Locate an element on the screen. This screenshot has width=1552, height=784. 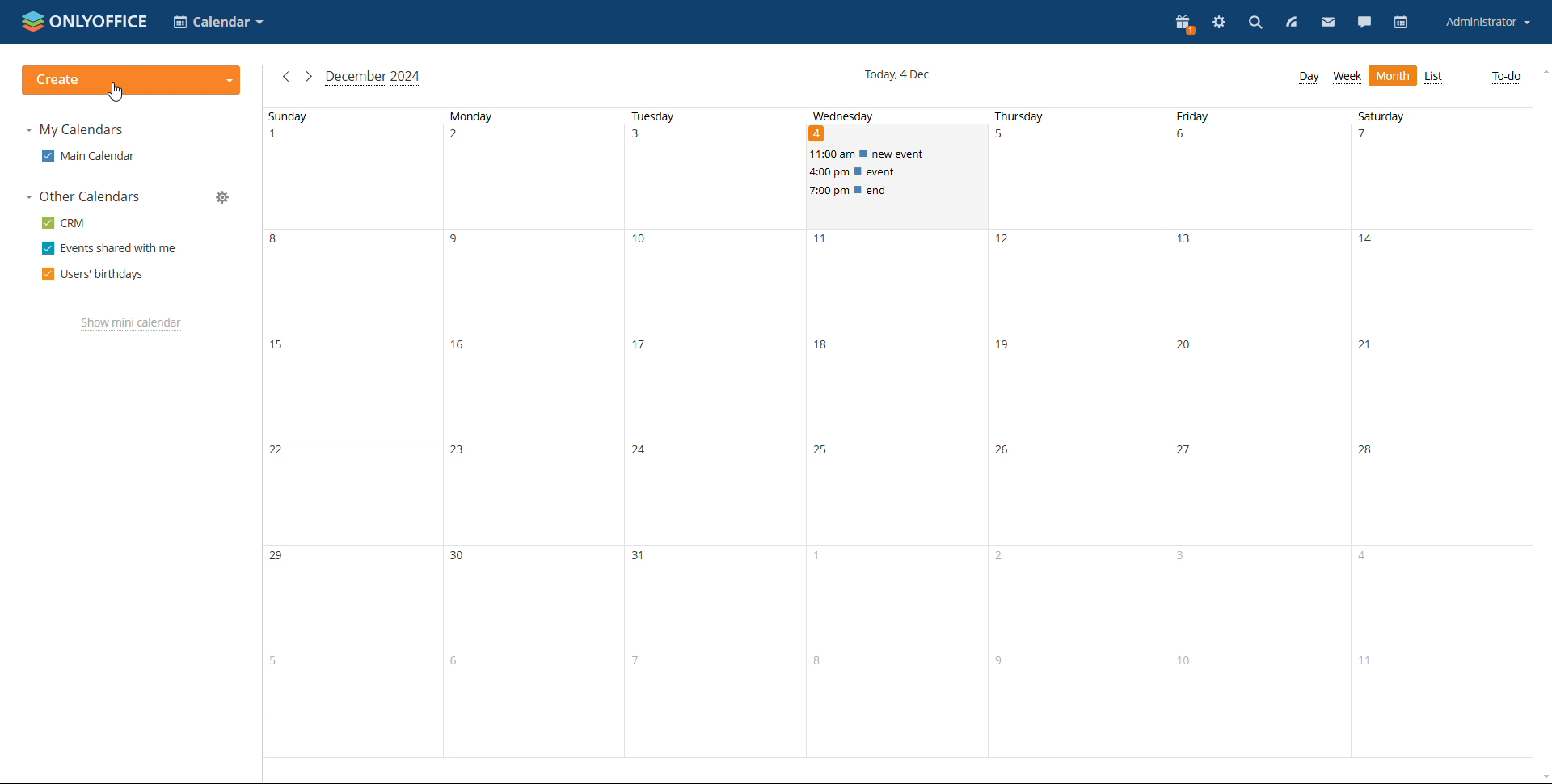
current date is located at coordinates (896, 76).